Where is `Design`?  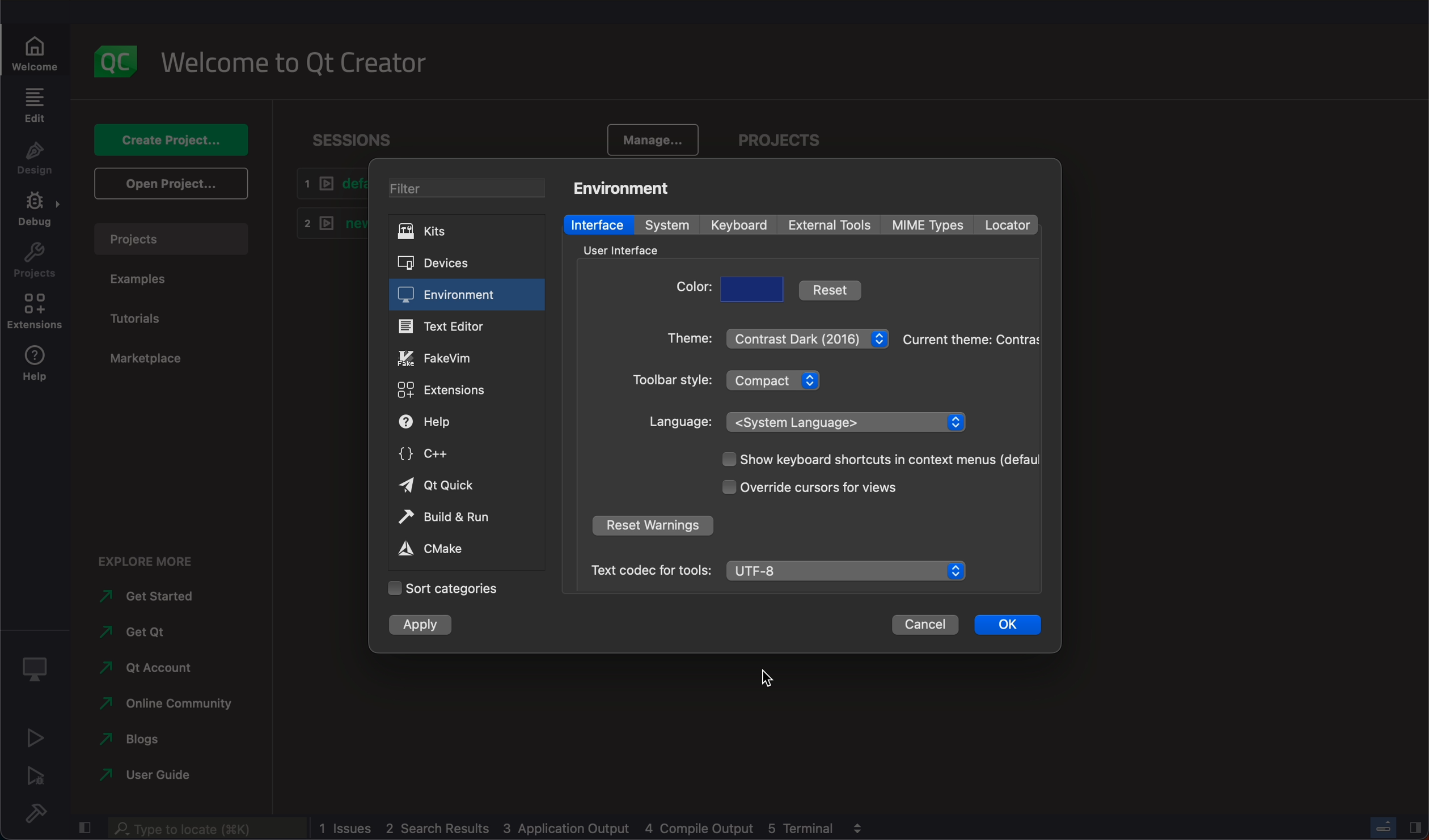 Design is located at coordinates (34, 160).